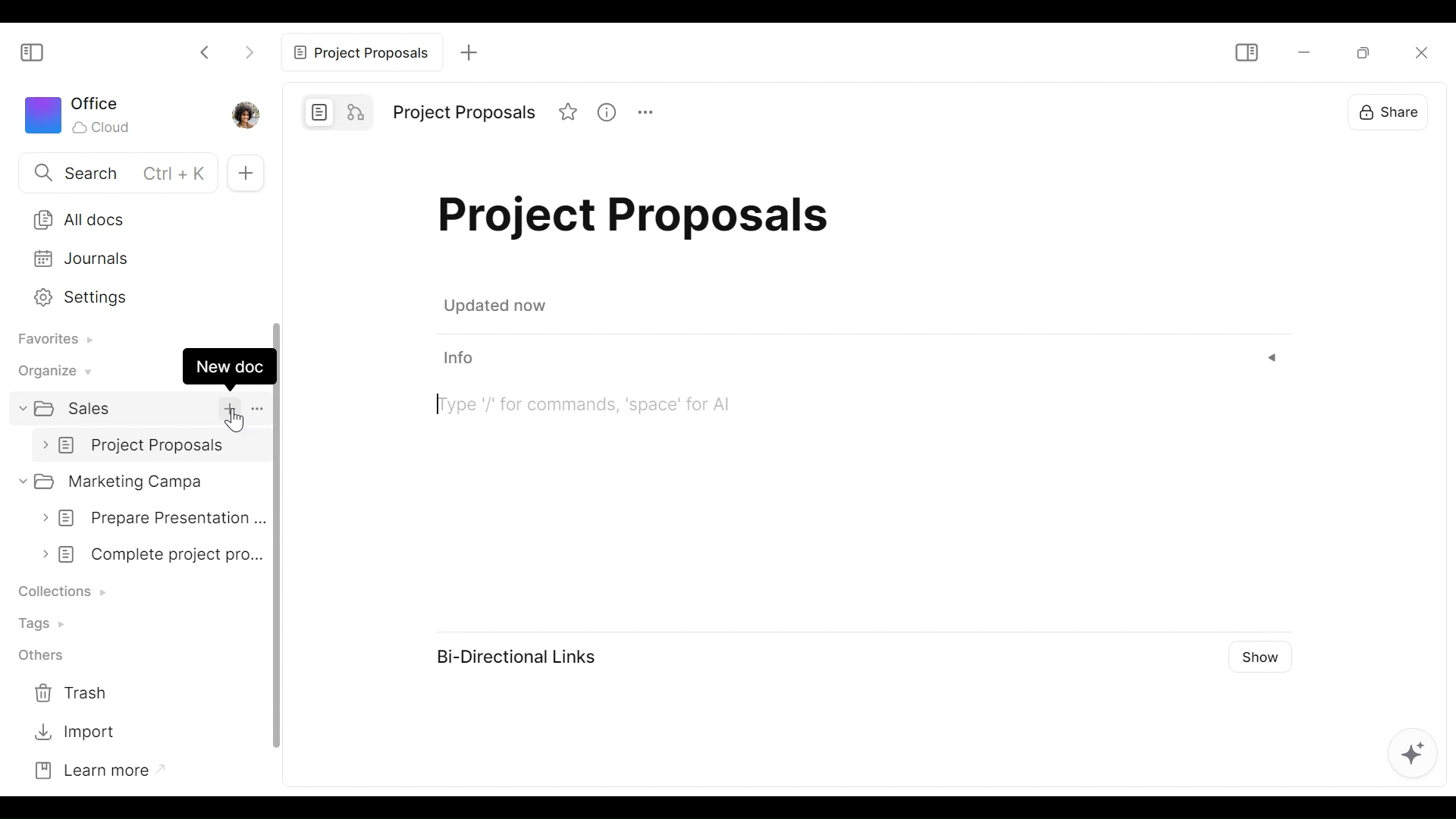 This screenshot has width=1456, height=819. I want to click on updated now, so click(493, 305).